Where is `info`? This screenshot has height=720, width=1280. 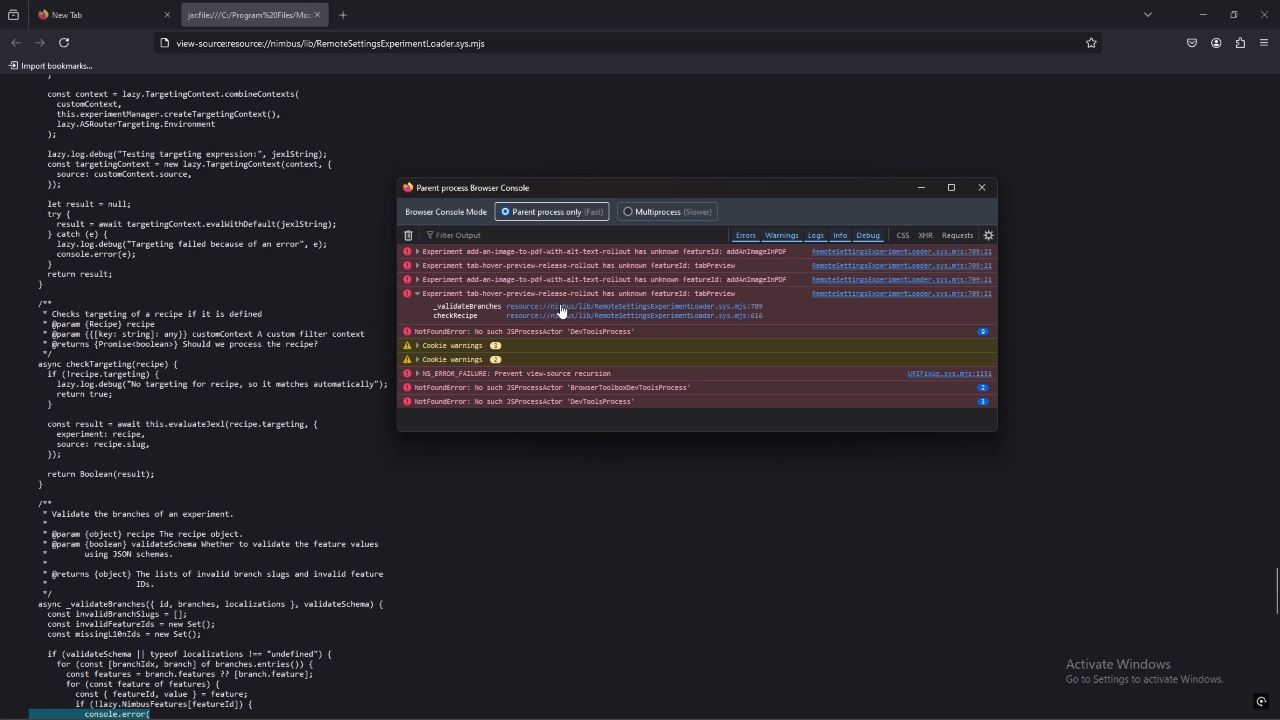
info is located at coordinates (984, 387).